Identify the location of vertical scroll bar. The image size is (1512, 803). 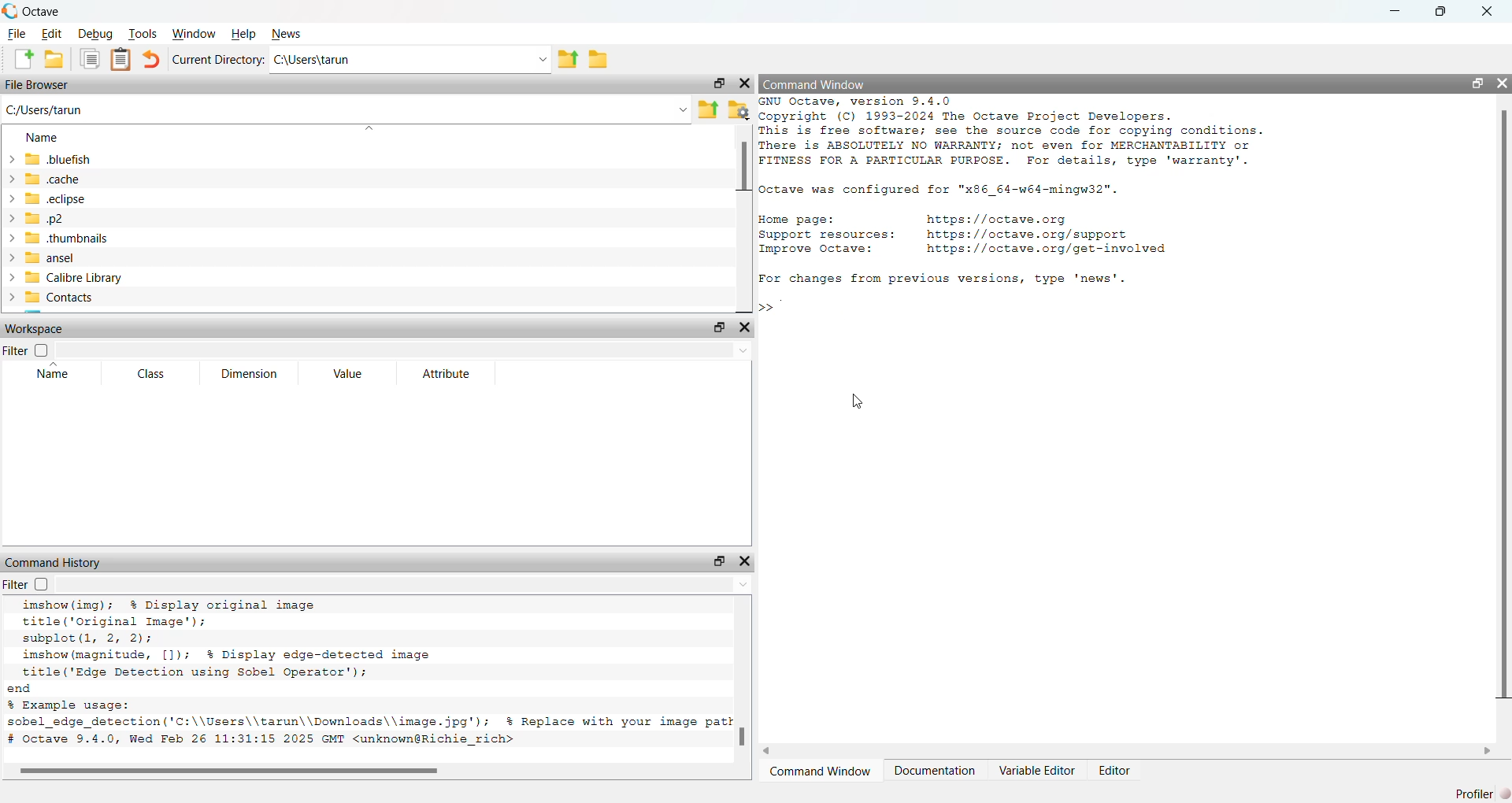
(742, 213).